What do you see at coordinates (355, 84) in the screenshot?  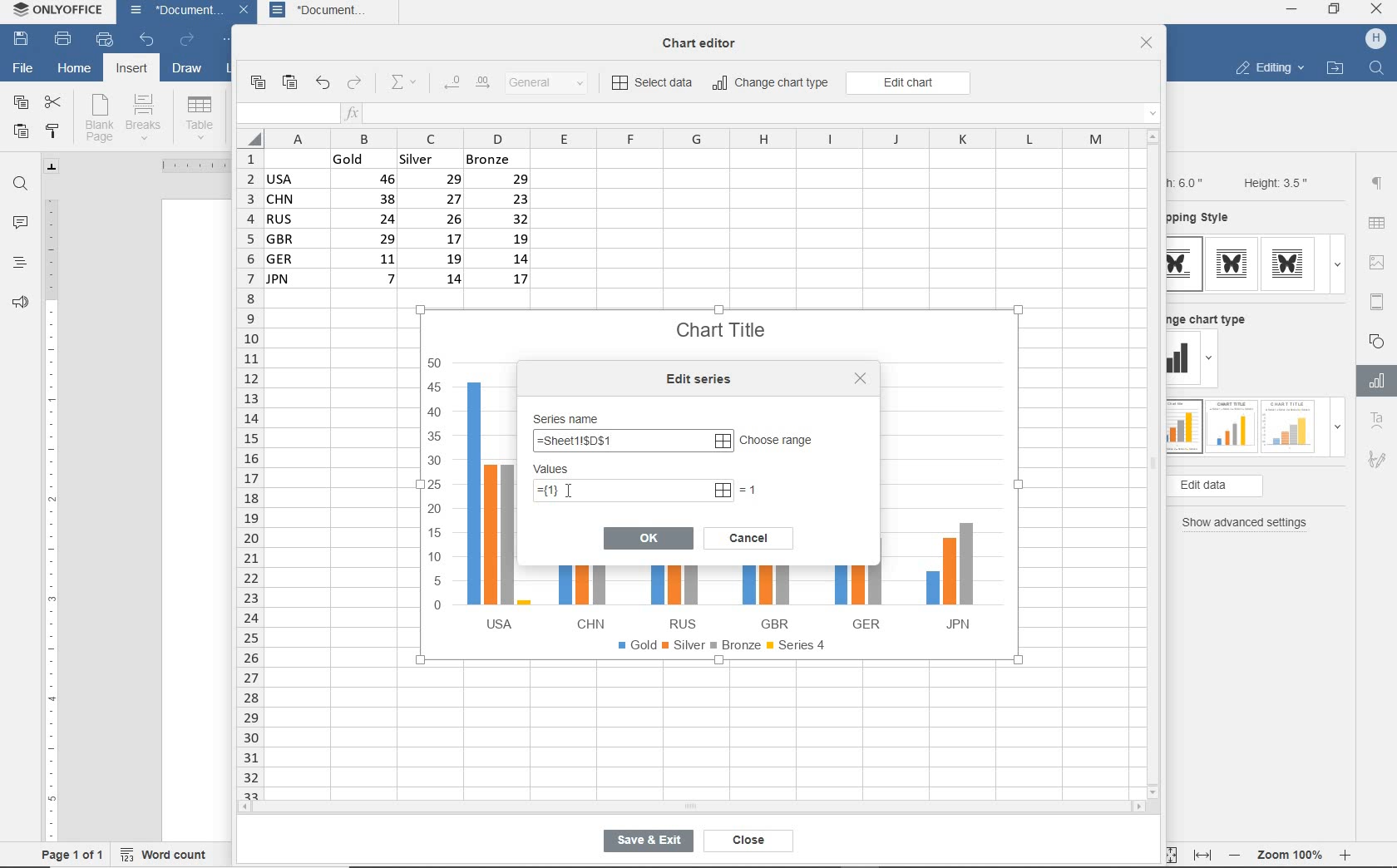 I see `redo ` at bounding box center [355, 84].